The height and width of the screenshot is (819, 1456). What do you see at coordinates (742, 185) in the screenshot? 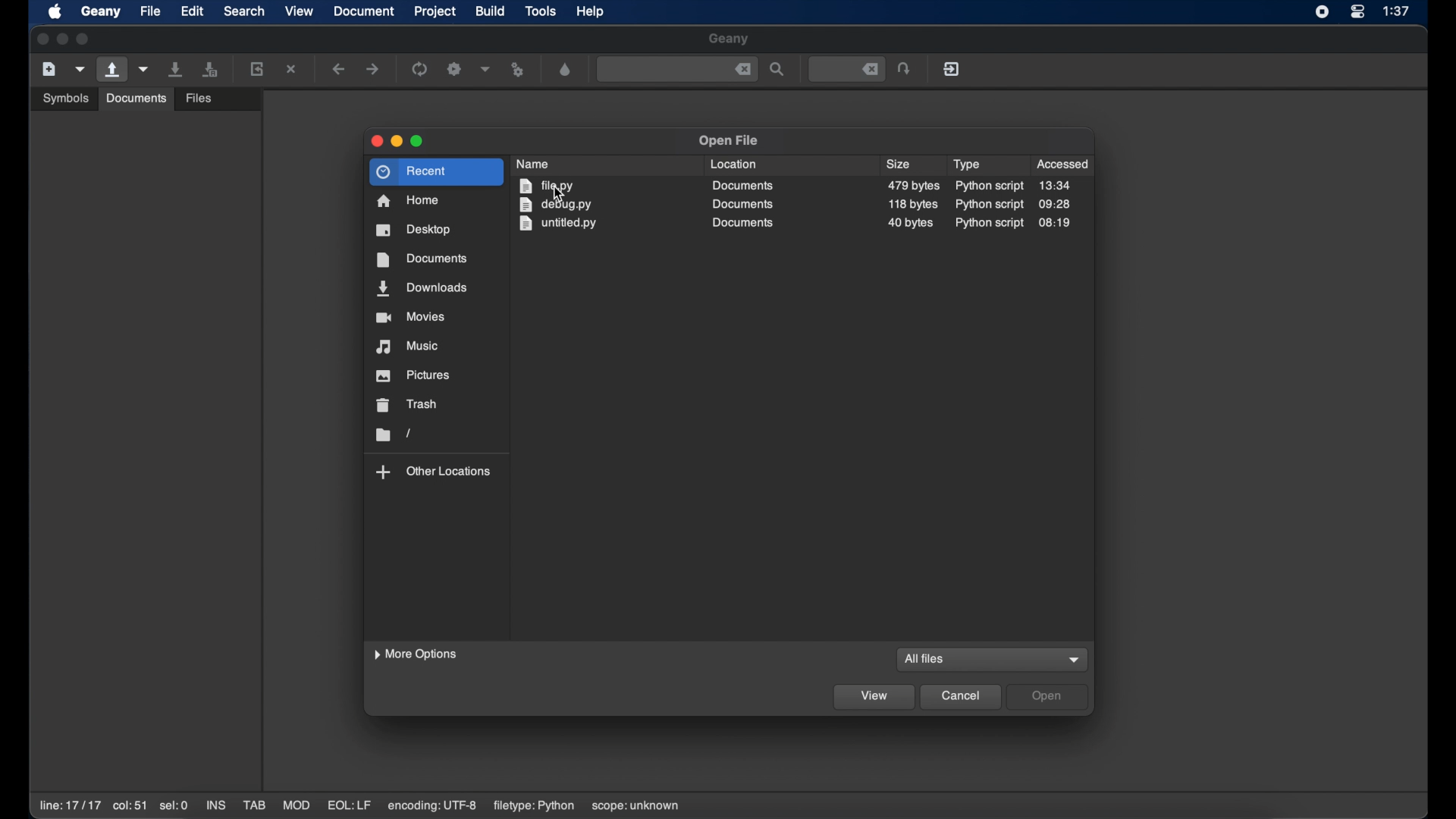
I see `documents` at bounding box center [742, 185].